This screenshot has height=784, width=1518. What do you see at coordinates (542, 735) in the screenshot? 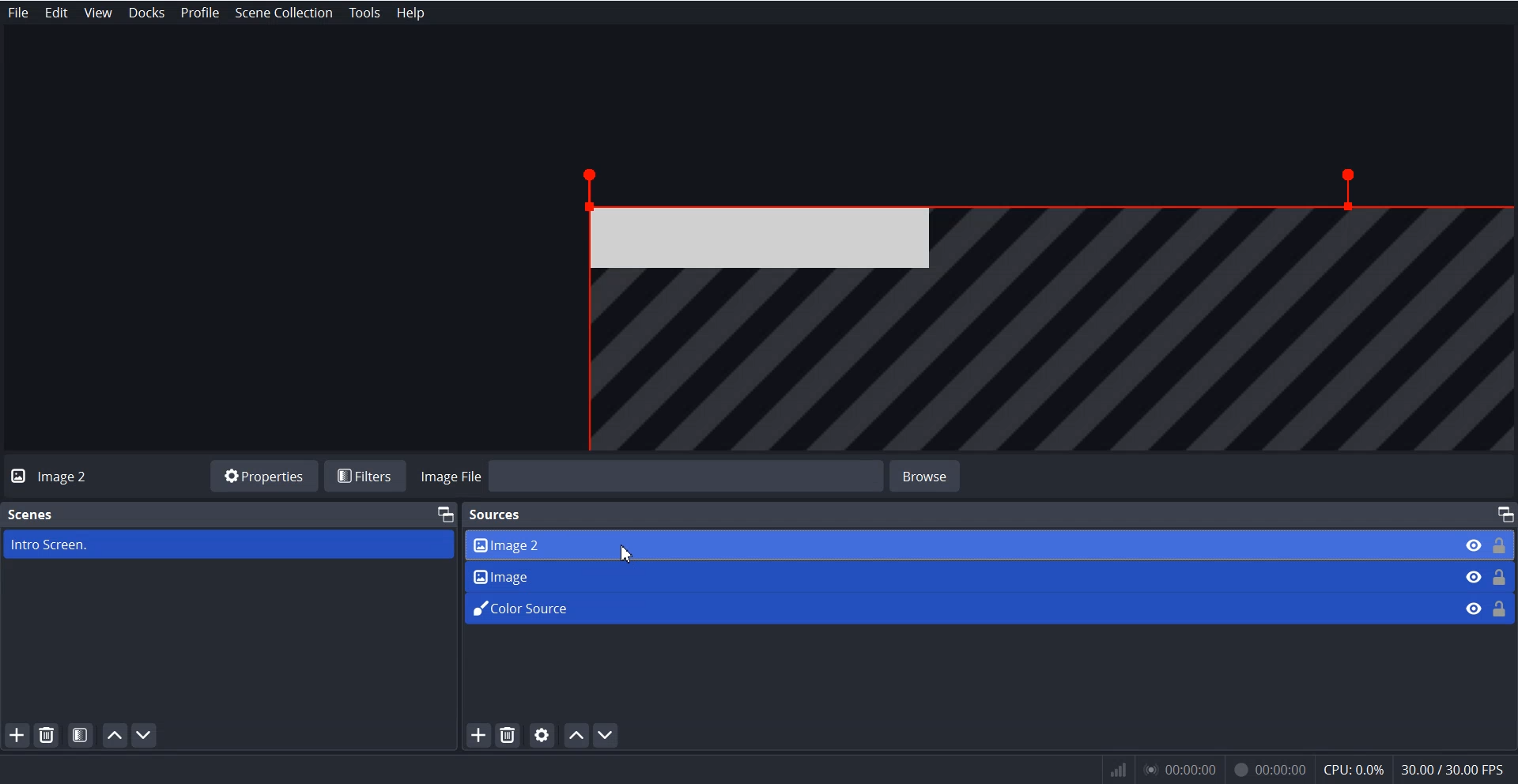
I see `Open source properties` at bounding box center [542, 735].